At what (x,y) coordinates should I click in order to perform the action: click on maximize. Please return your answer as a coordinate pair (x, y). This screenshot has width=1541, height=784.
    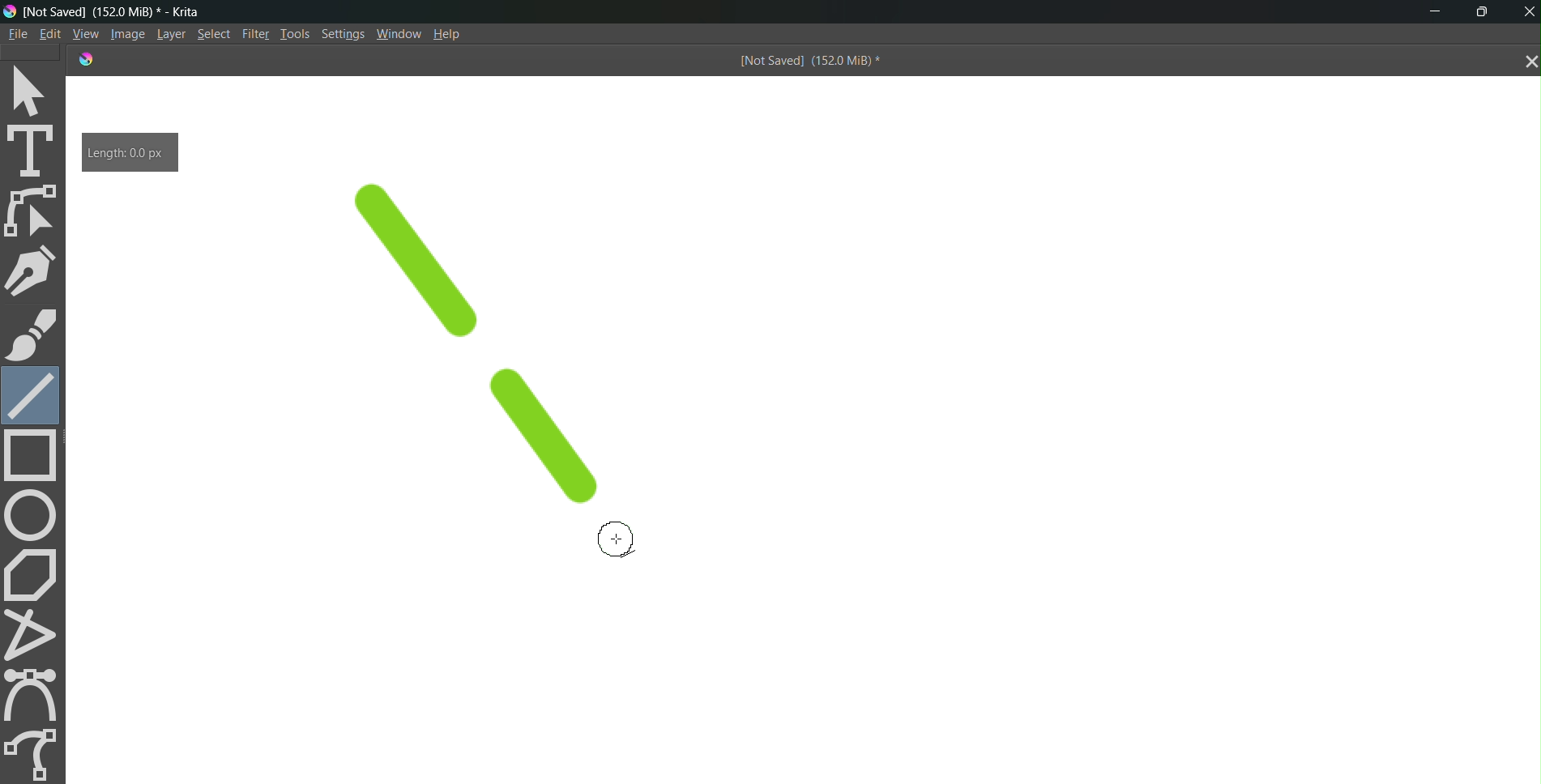
    Looking at the image, I should click on (1487, 10).